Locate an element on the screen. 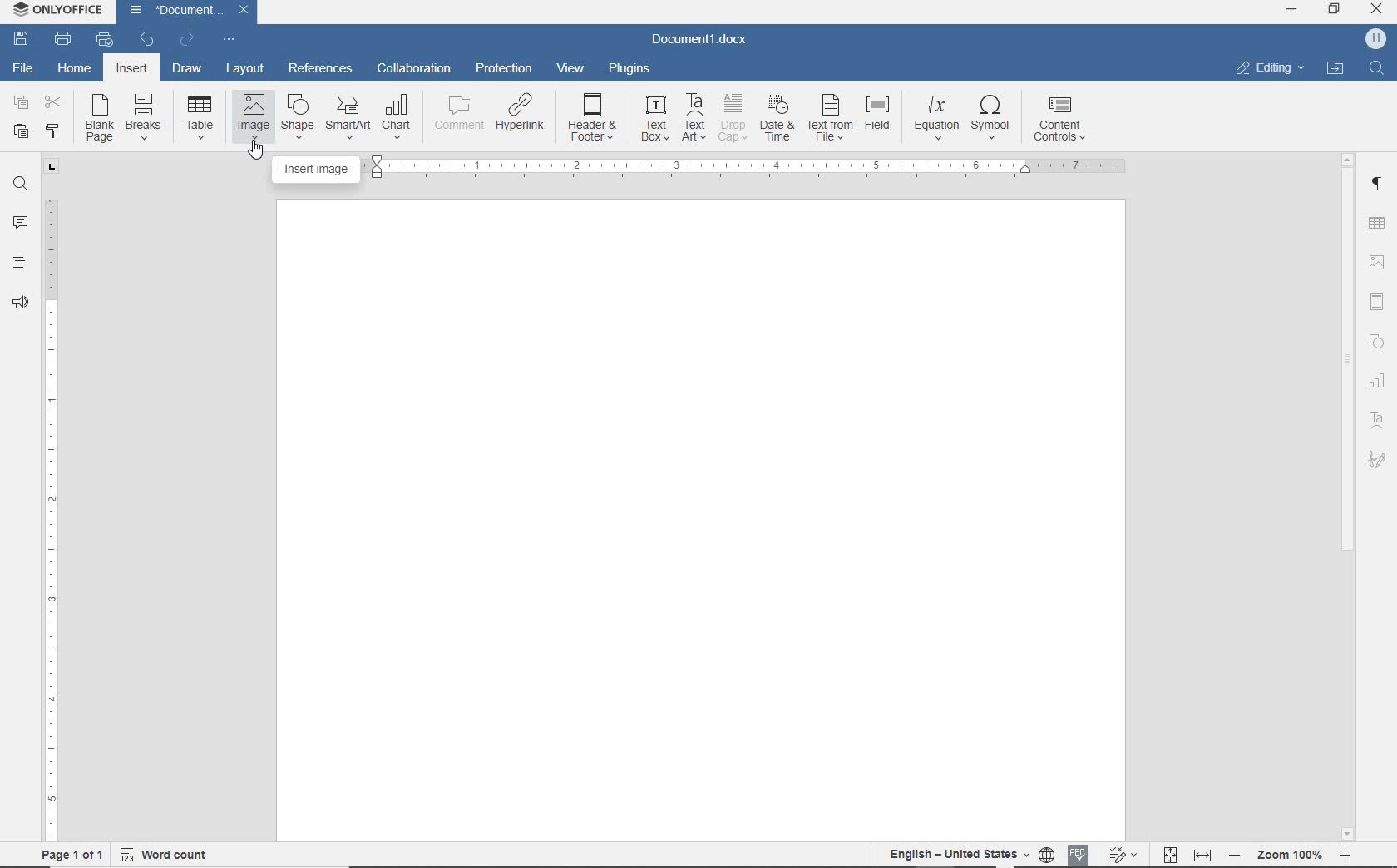 Image resolution: width=1397 pixels, height=868 pixels. quick print is located at coordinates (104, 40).